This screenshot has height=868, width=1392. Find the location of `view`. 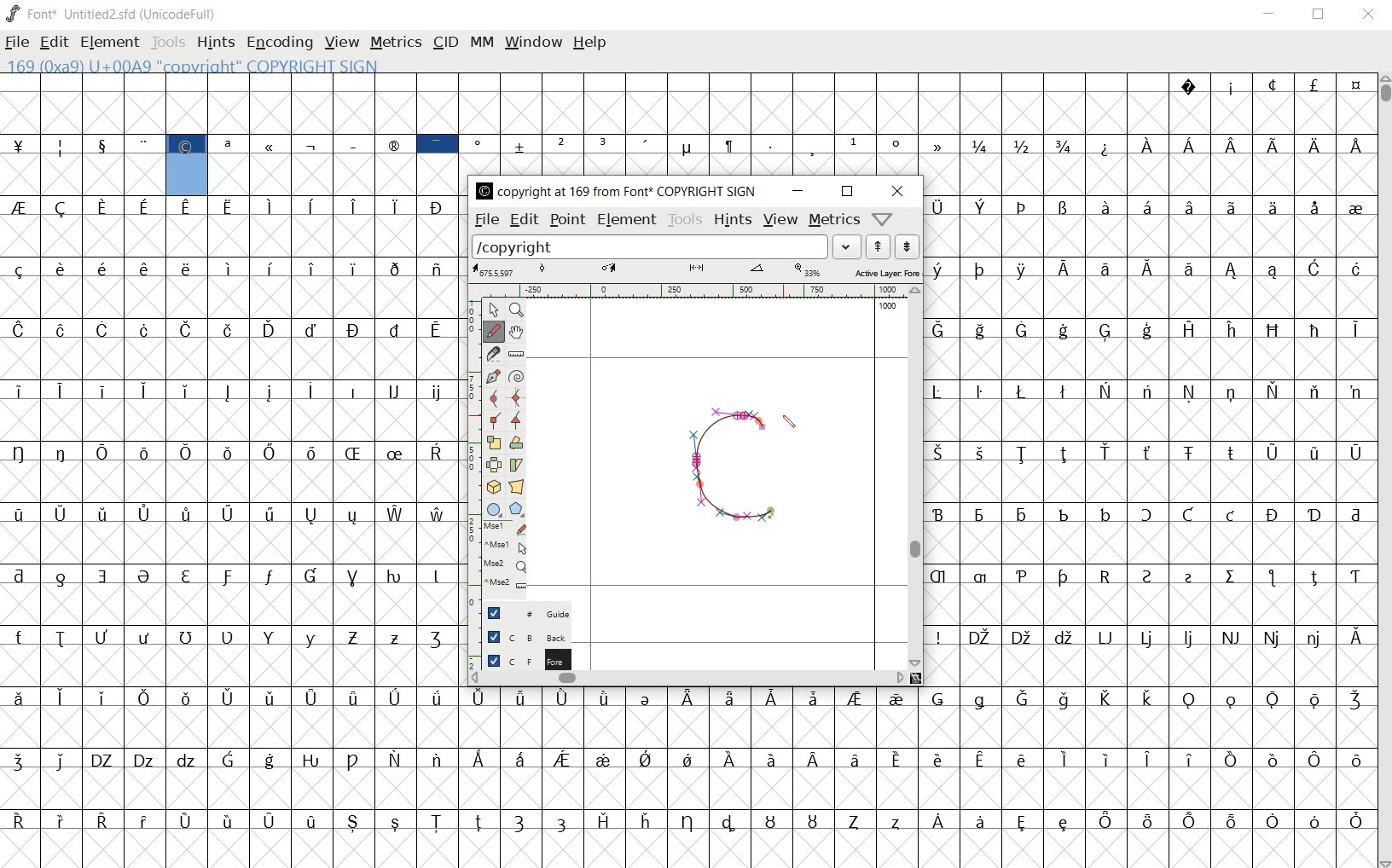

view is located at coordinates (781, 222).